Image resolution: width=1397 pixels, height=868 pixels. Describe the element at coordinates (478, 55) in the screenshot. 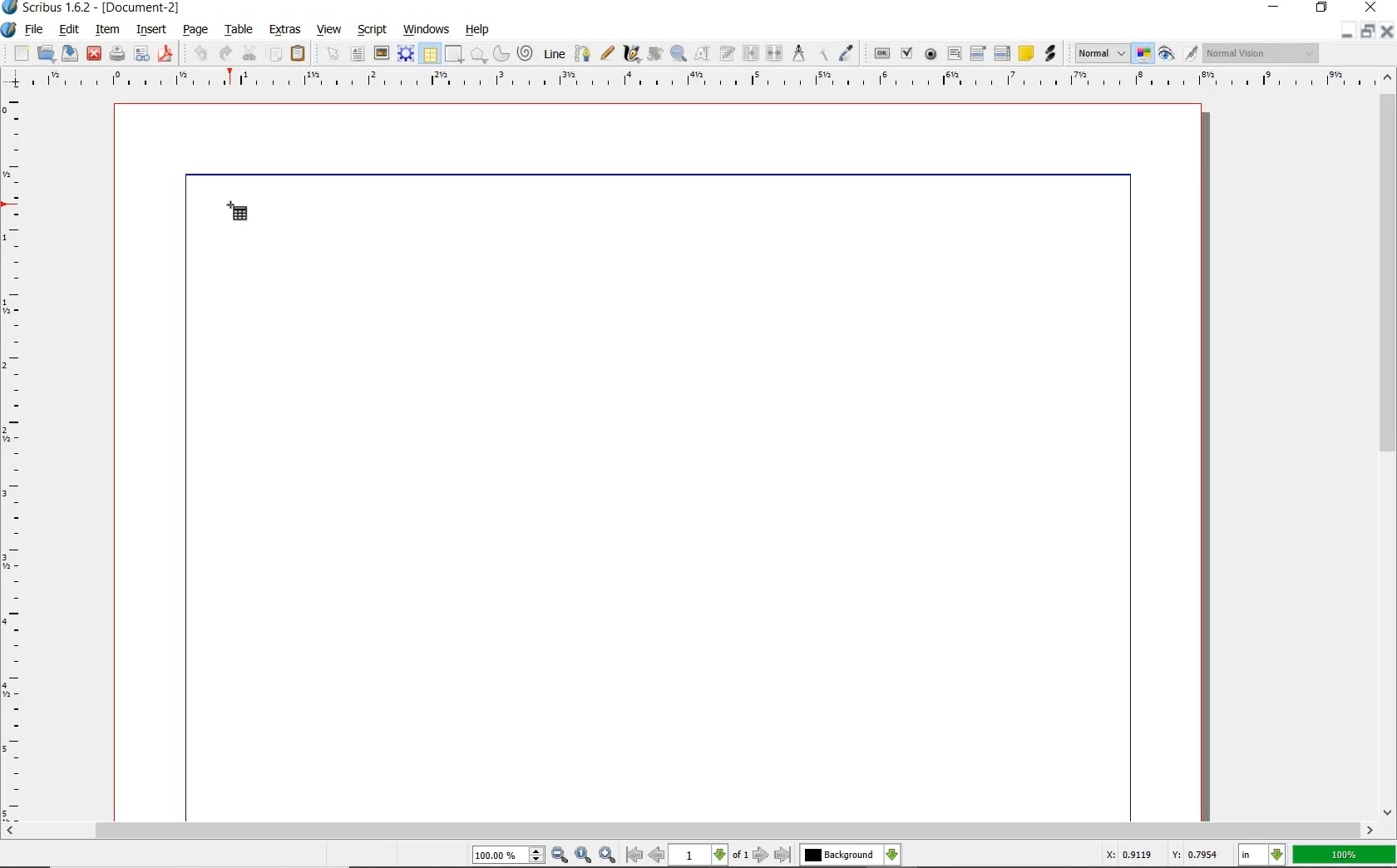

I see `polygon` at that location.